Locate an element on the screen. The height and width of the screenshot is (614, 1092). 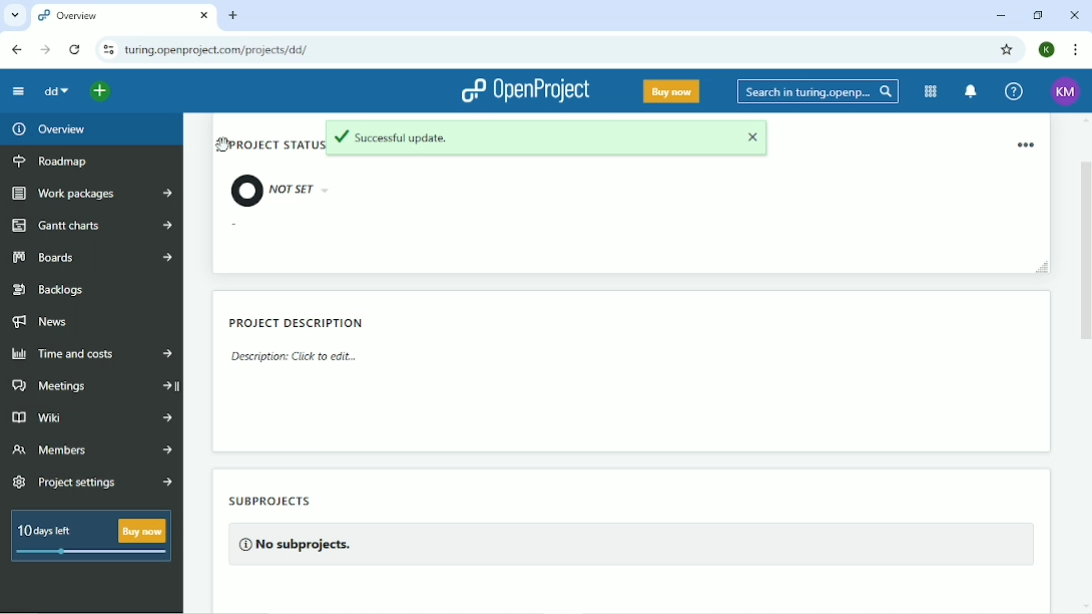
Customize and control google chrome is located at coordinates (1077, 49).